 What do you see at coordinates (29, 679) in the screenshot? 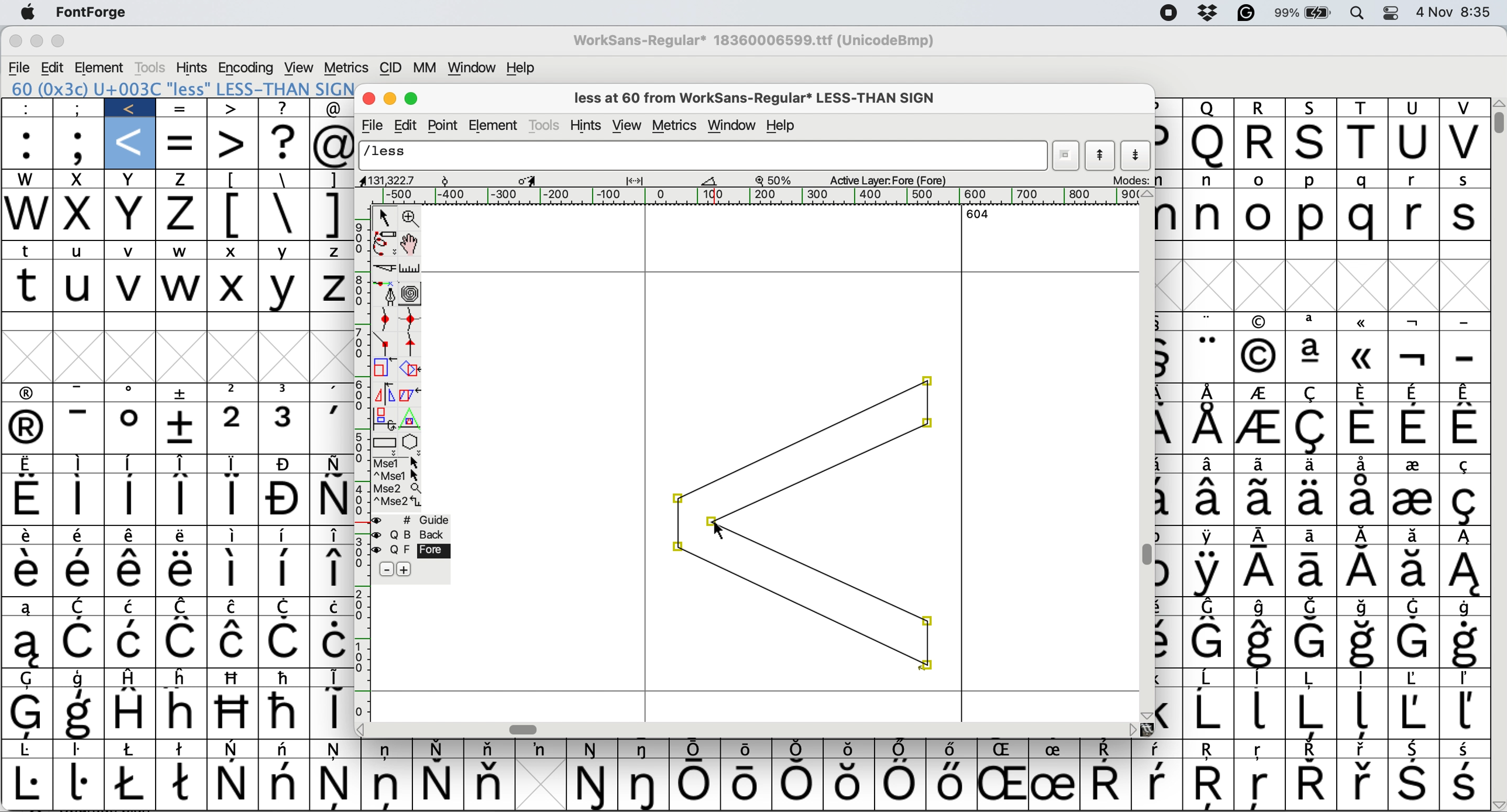
I see `Symbol` at bounding box center [29, 679].